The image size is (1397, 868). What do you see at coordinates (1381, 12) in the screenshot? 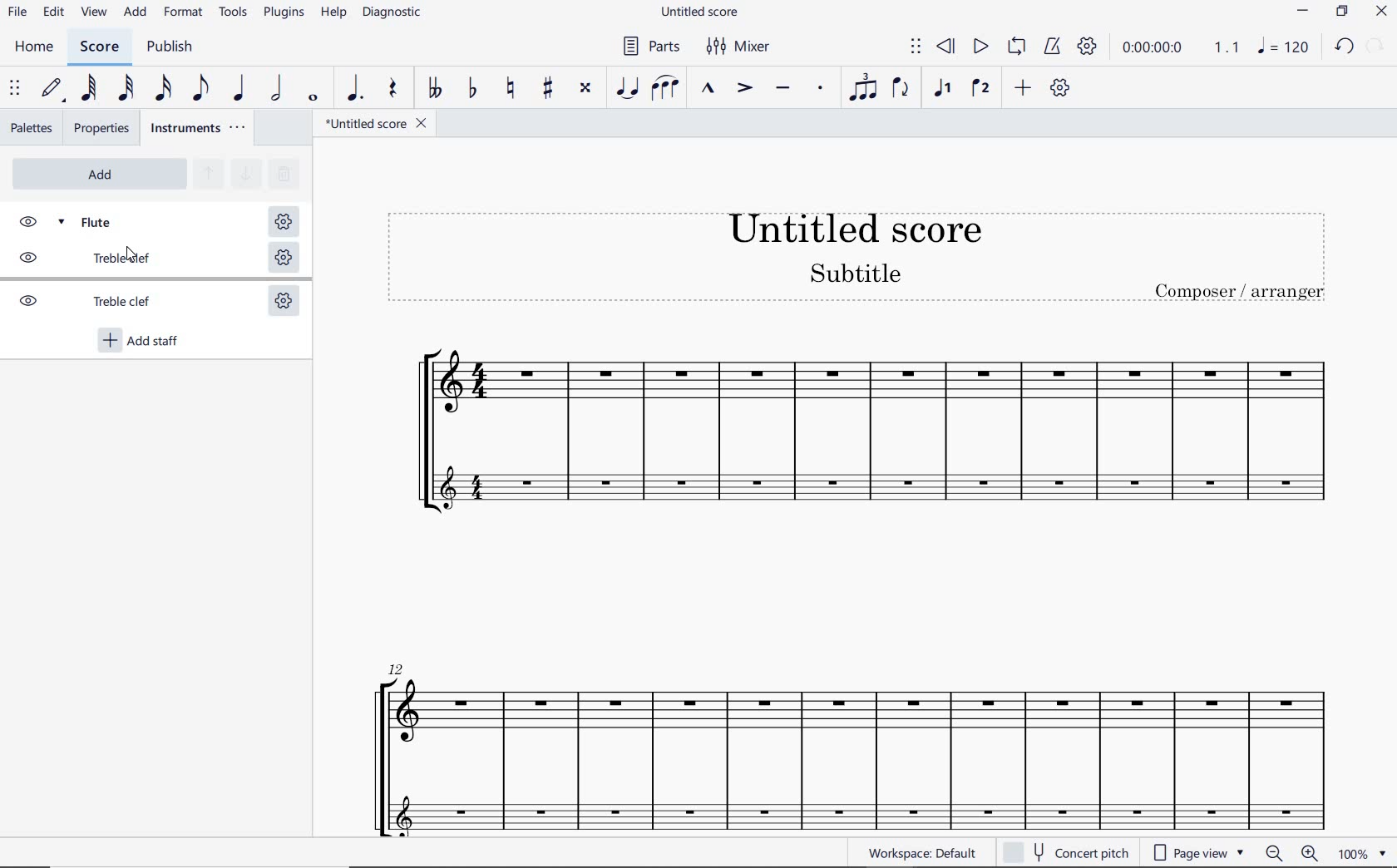
I see `CLOSE` at bounding box center [1381, 12].